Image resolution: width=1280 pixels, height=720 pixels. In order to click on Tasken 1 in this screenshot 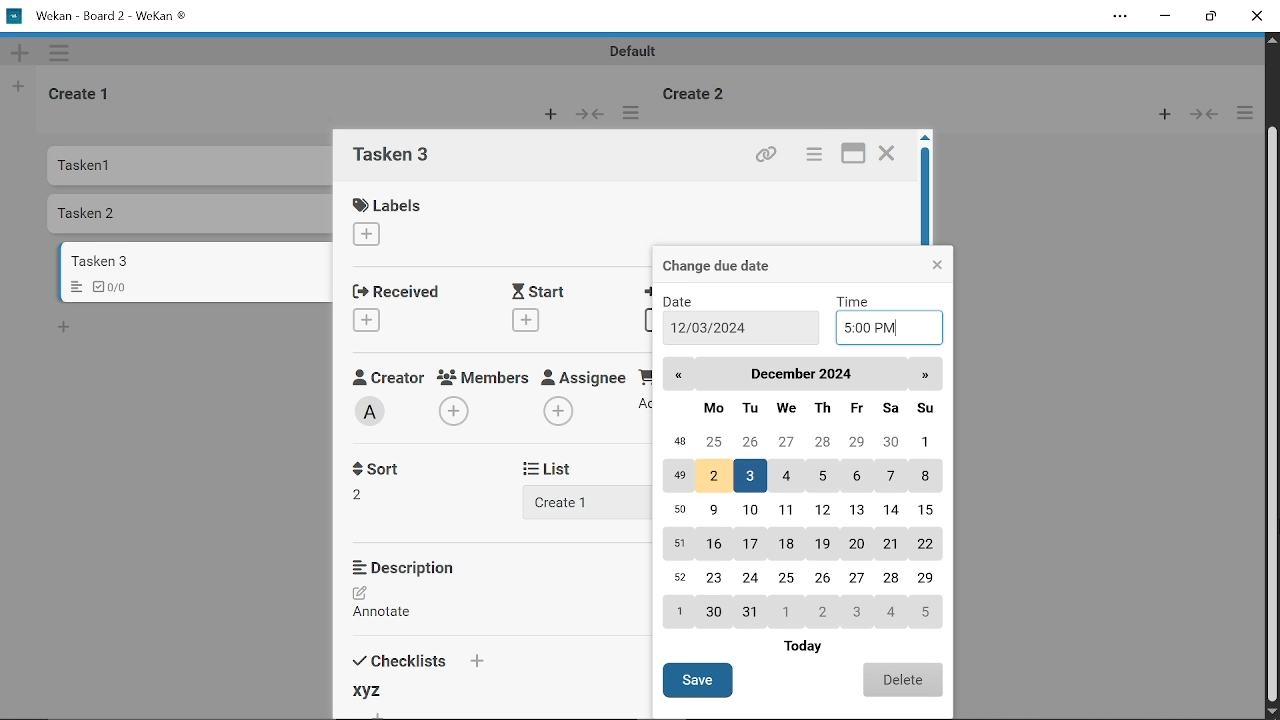, I will do `click(133, 167)`.